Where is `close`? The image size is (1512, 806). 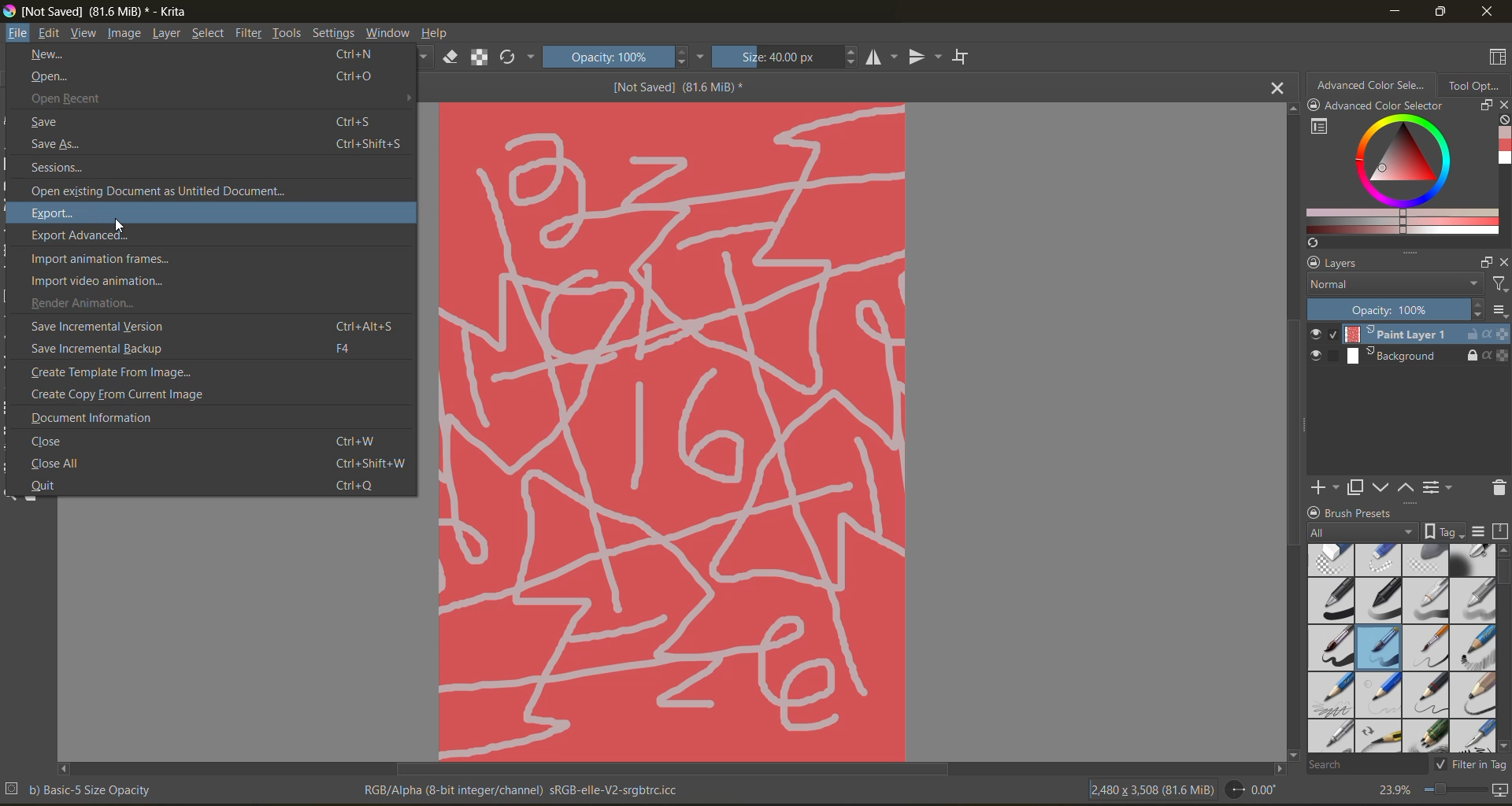 close is located at coordinates (1488, 11).